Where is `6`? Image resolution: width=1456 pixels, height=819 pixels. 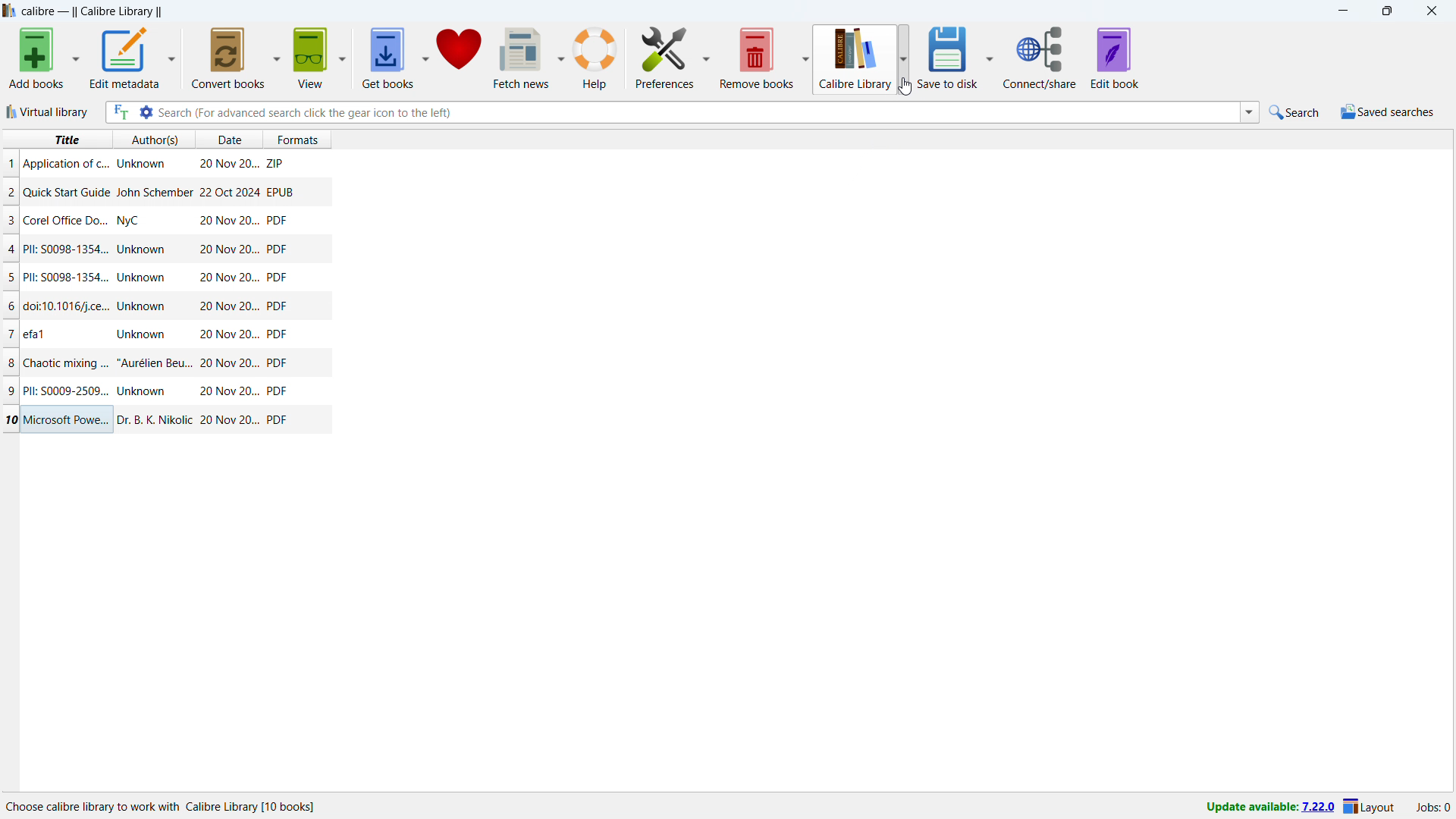
6 is located at coordinates (12, 306).